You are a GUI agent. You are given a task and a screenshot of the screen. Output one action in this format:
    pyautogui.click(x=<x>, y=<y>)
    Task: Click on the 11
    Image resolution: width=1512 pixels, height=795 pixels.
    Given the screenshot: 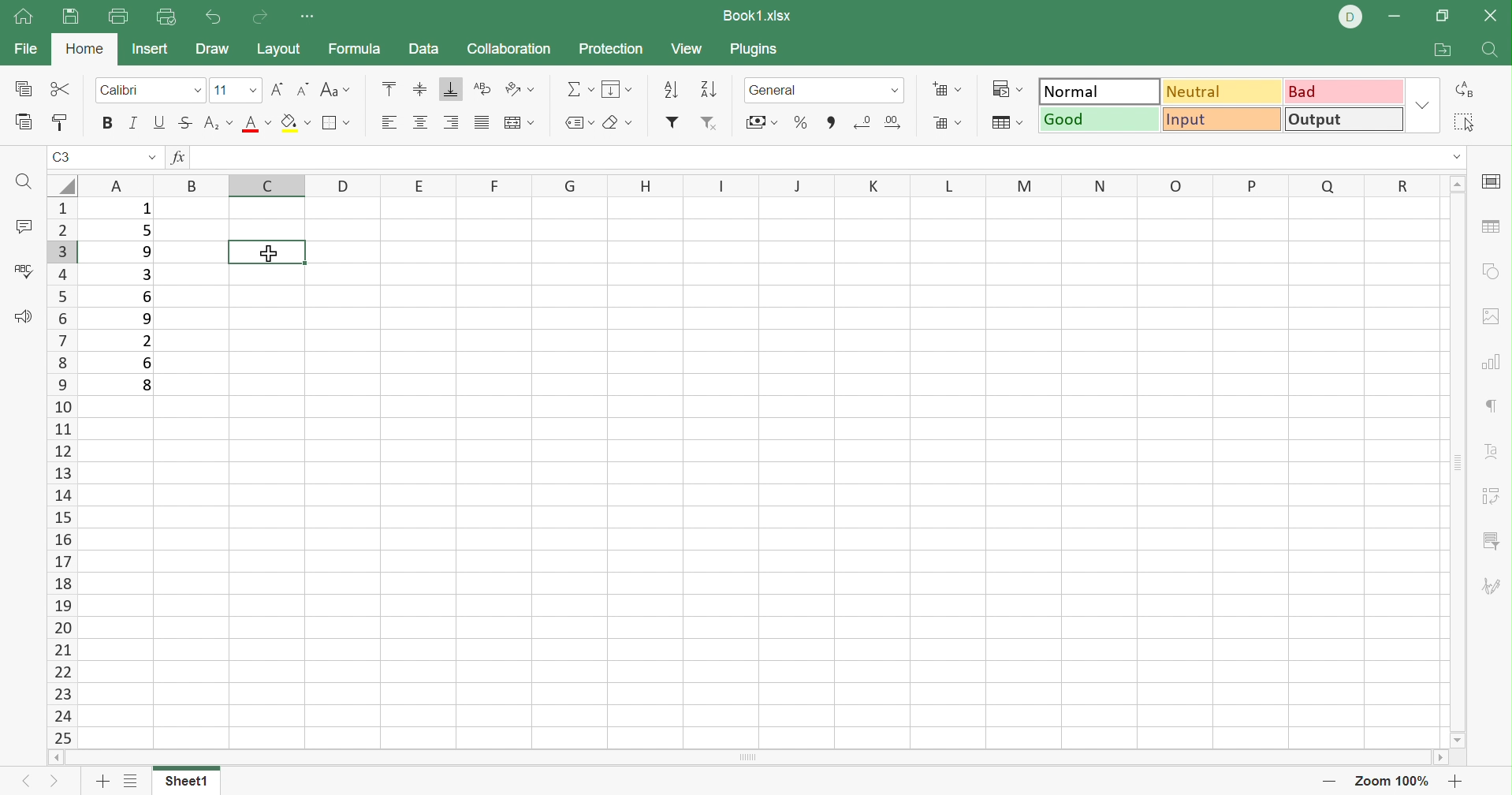 What is the action you would take?
    pyautogui.click(x=222, y=91)
    